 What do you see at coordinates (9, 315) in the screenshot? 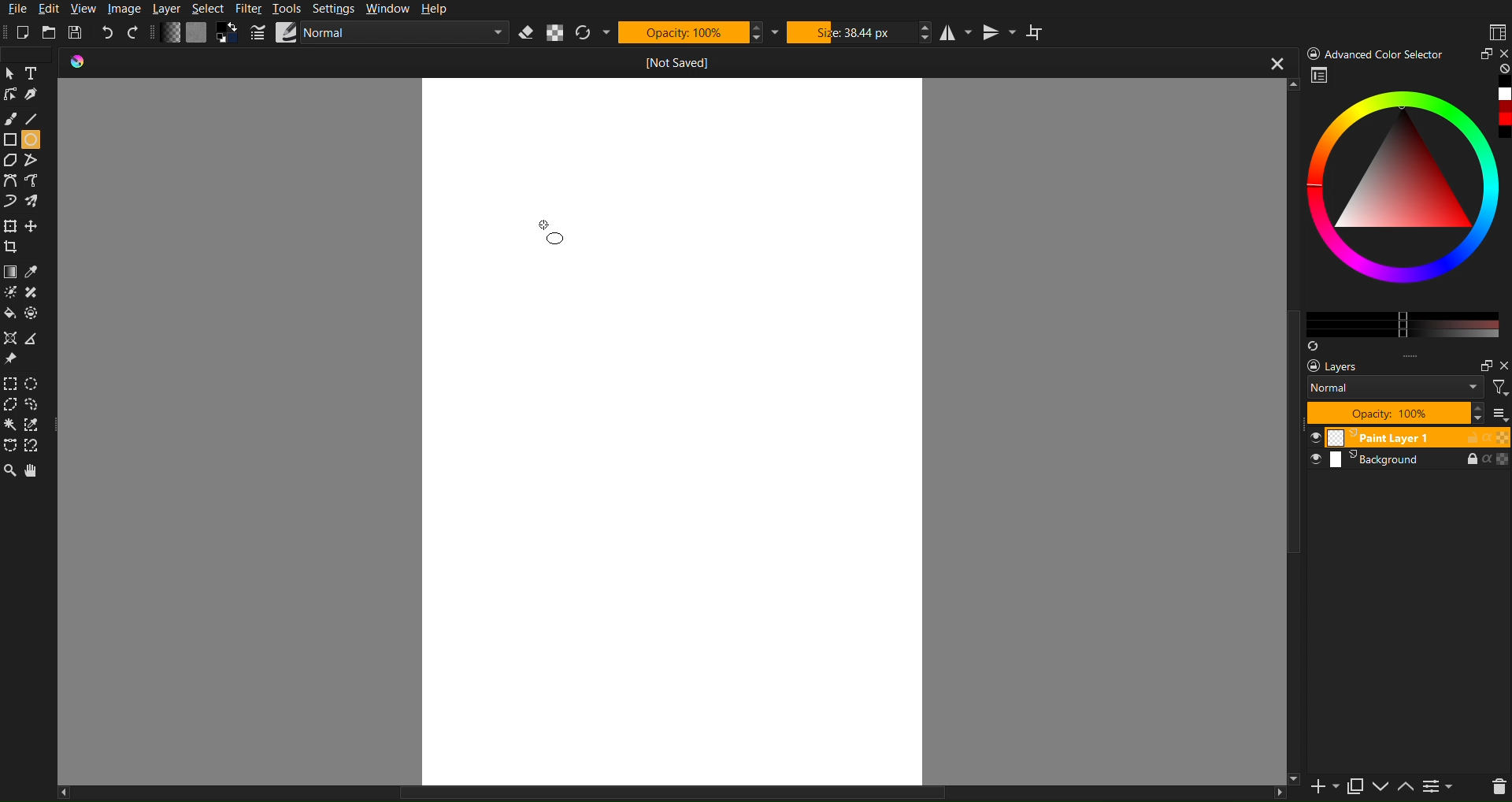
I see `Color fill` at bounding box center [9, 315].